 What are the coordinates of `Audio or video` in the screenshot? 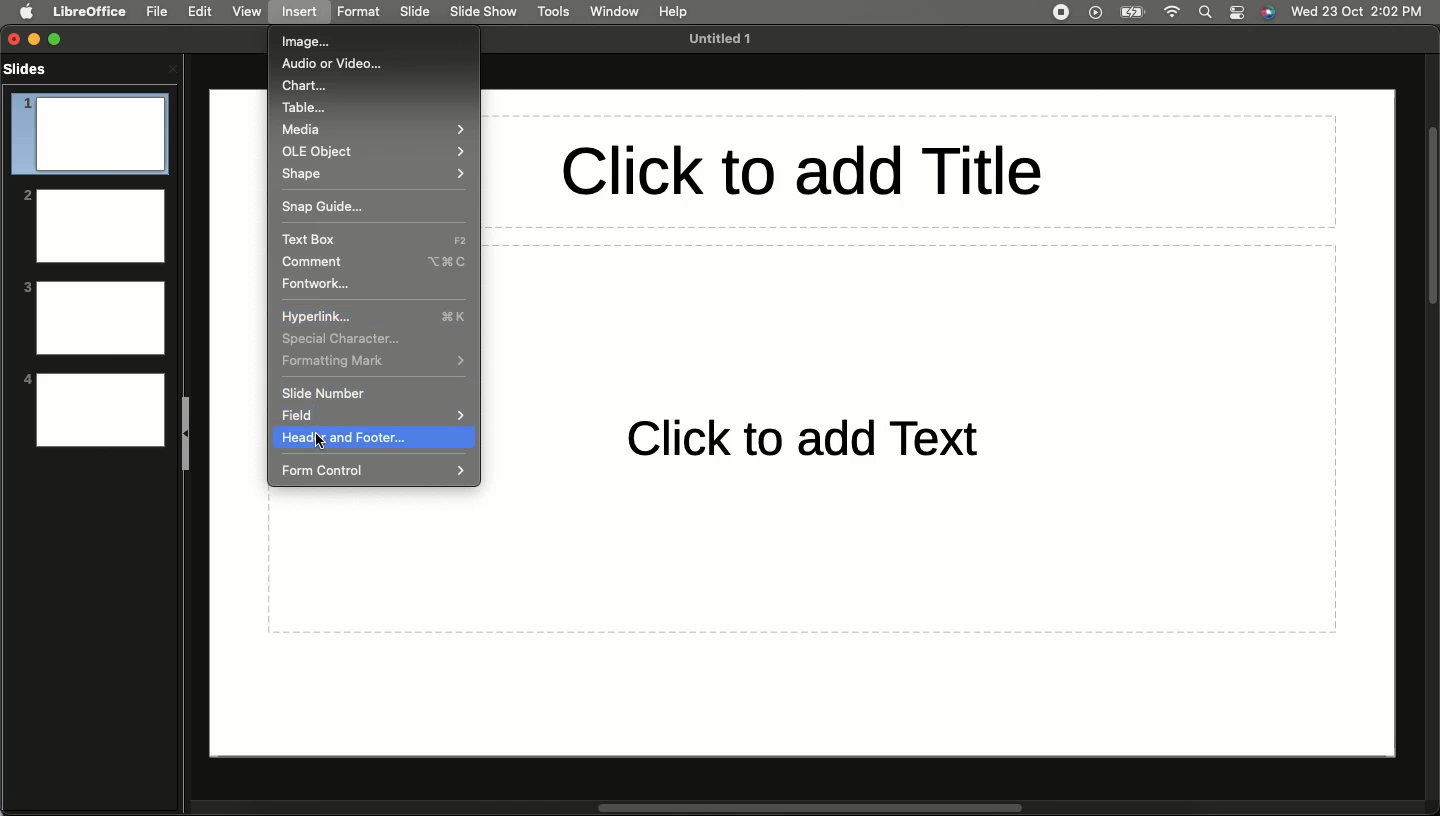 It's located at (334, 65).